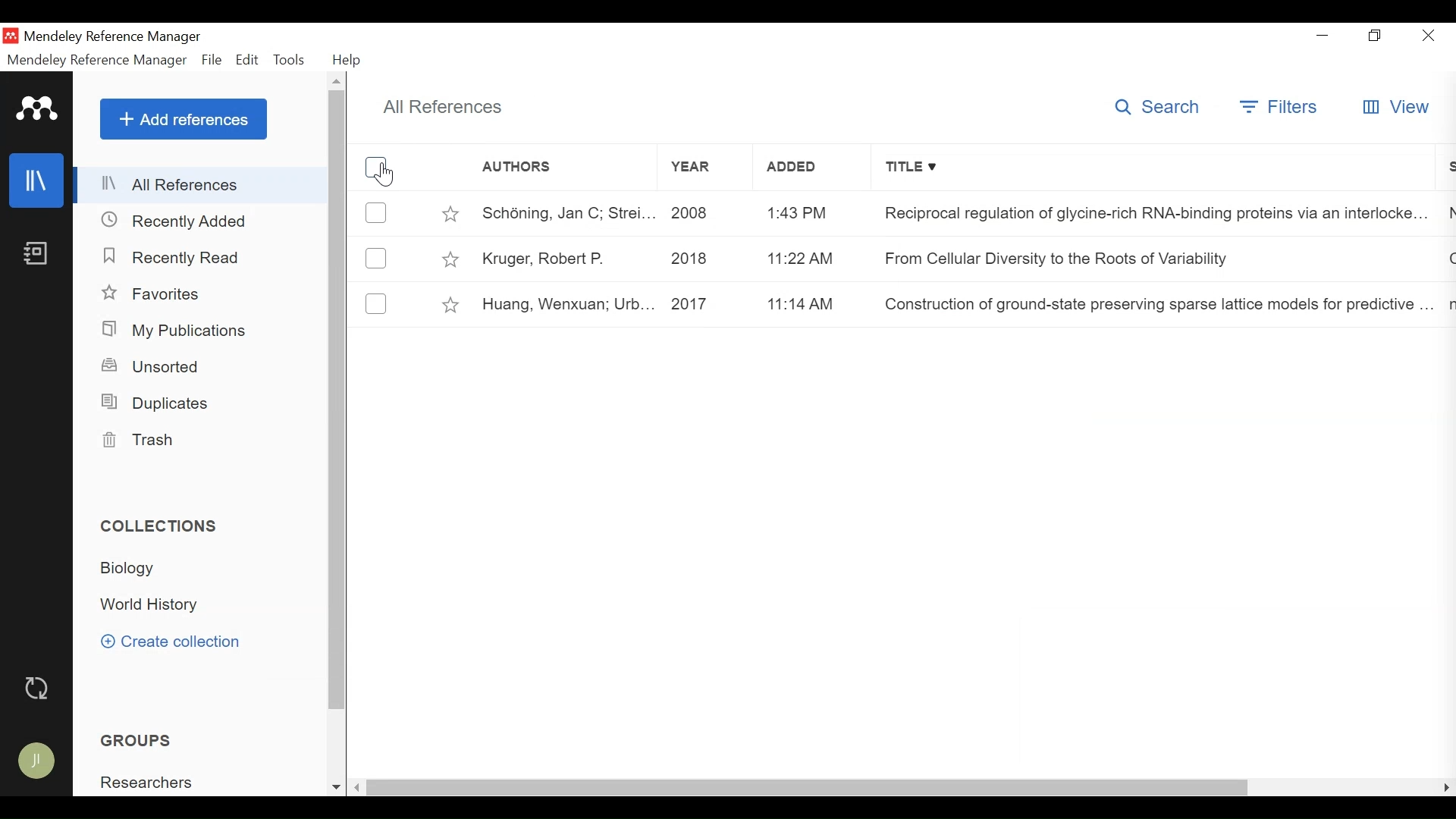 Image resolution: width=1456 pixels, height=819 pixels. I want to click on Mendeley Desktop Icon, so click(11, 36).